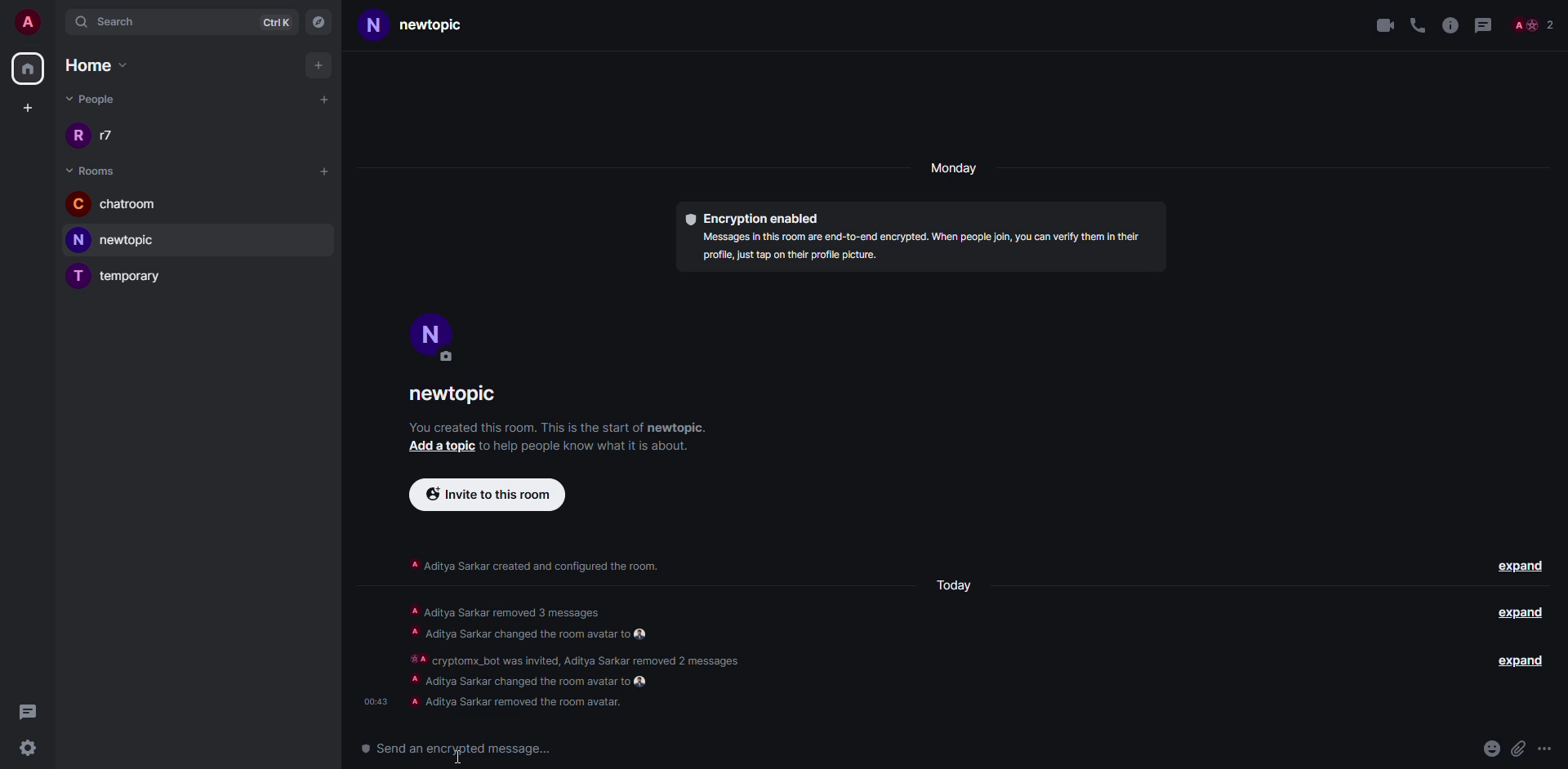 The width and height of the screenshot is (1568, 769). What do you see at coordinates (27, 69) in the screenshot?
I see `home` at bounding box center [27, 69].